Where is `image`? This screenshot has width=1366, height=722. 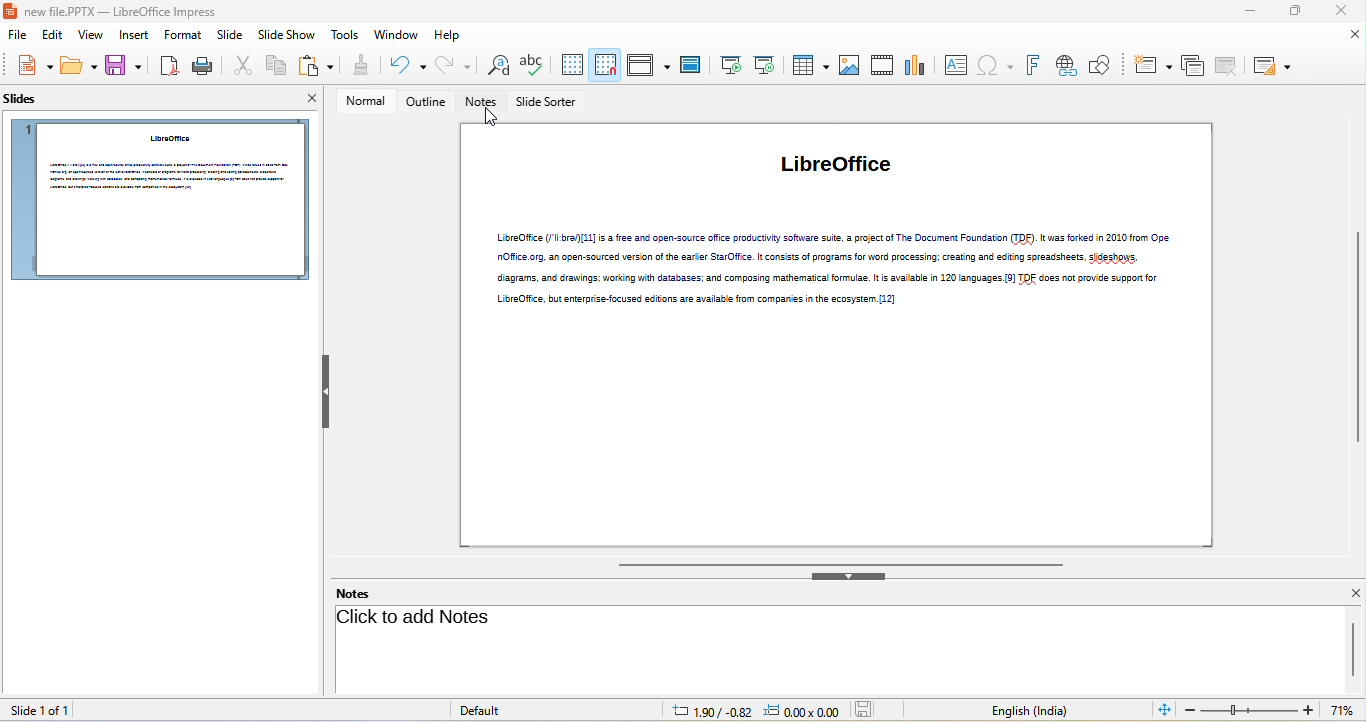 image is located at coordinates (849, 66).